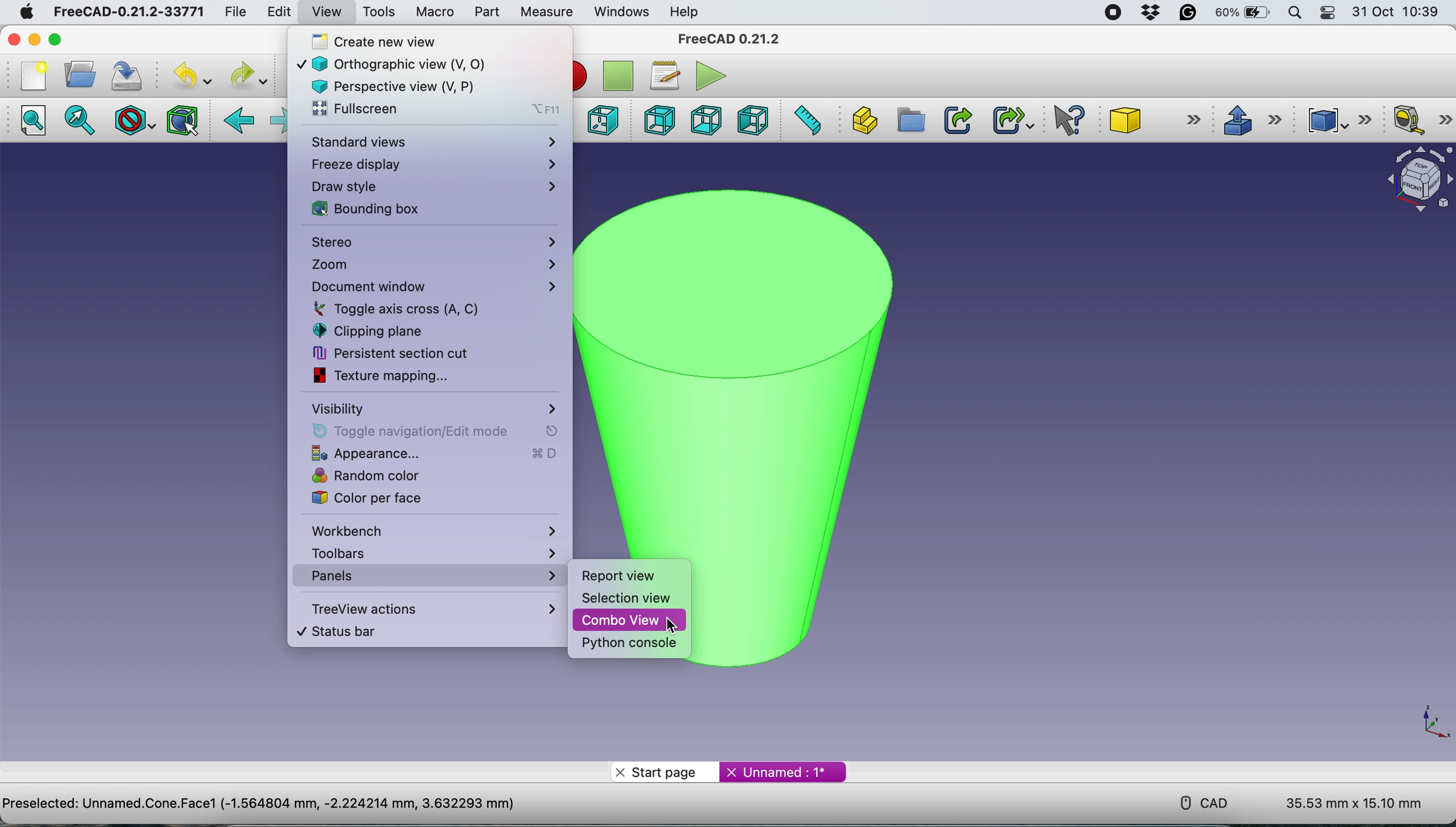 Image resolution: width=1456 pixels, height=827 pixels. What do you see at coordinates (400, 375) in the screenshot?
I see `texture mapping ` at bounding box center [400, 375].